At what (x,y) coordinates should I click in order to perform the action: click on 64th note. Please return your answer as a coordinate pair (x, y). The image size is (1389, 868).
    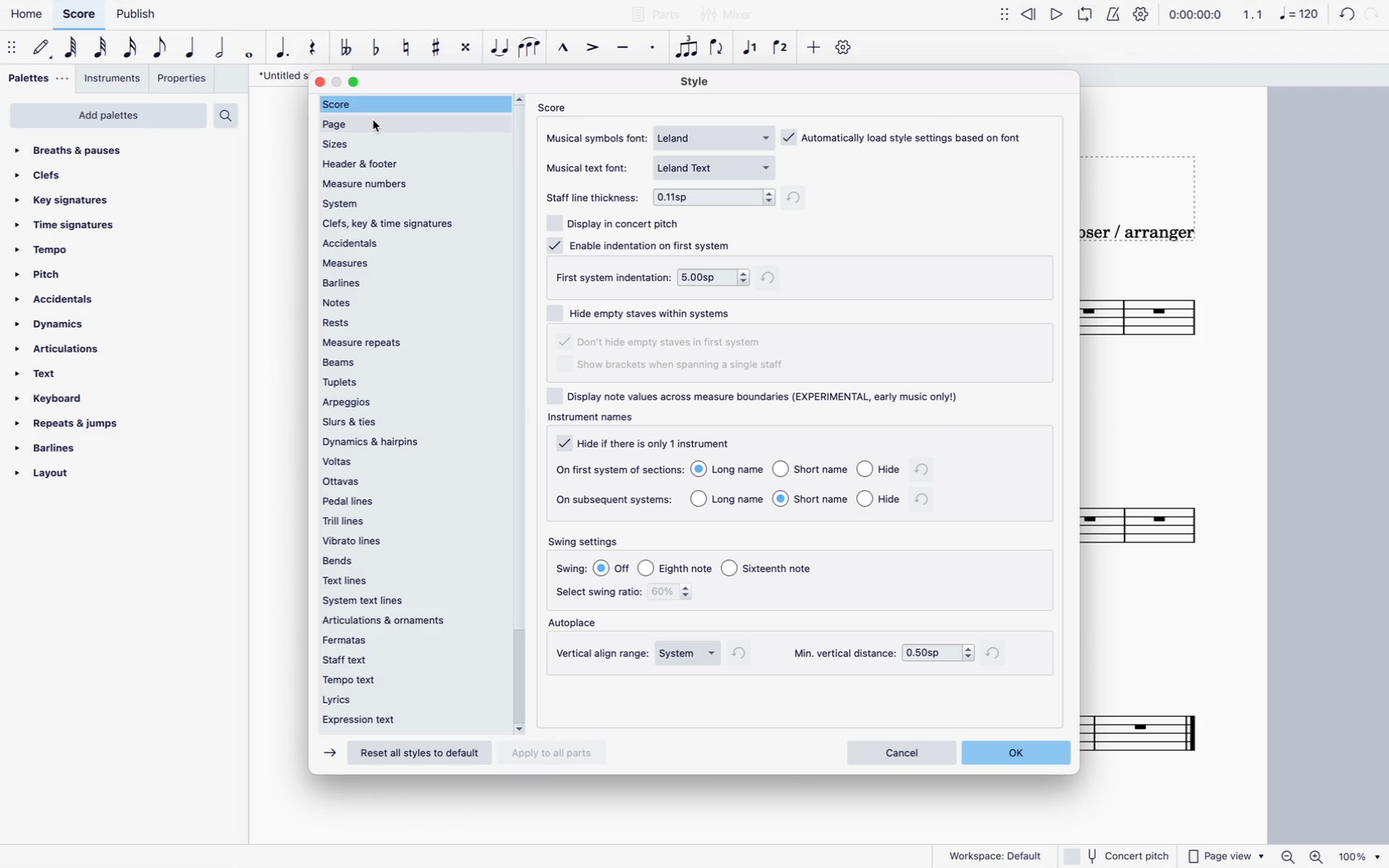
    Looking at the image, I should click on (70, 50).